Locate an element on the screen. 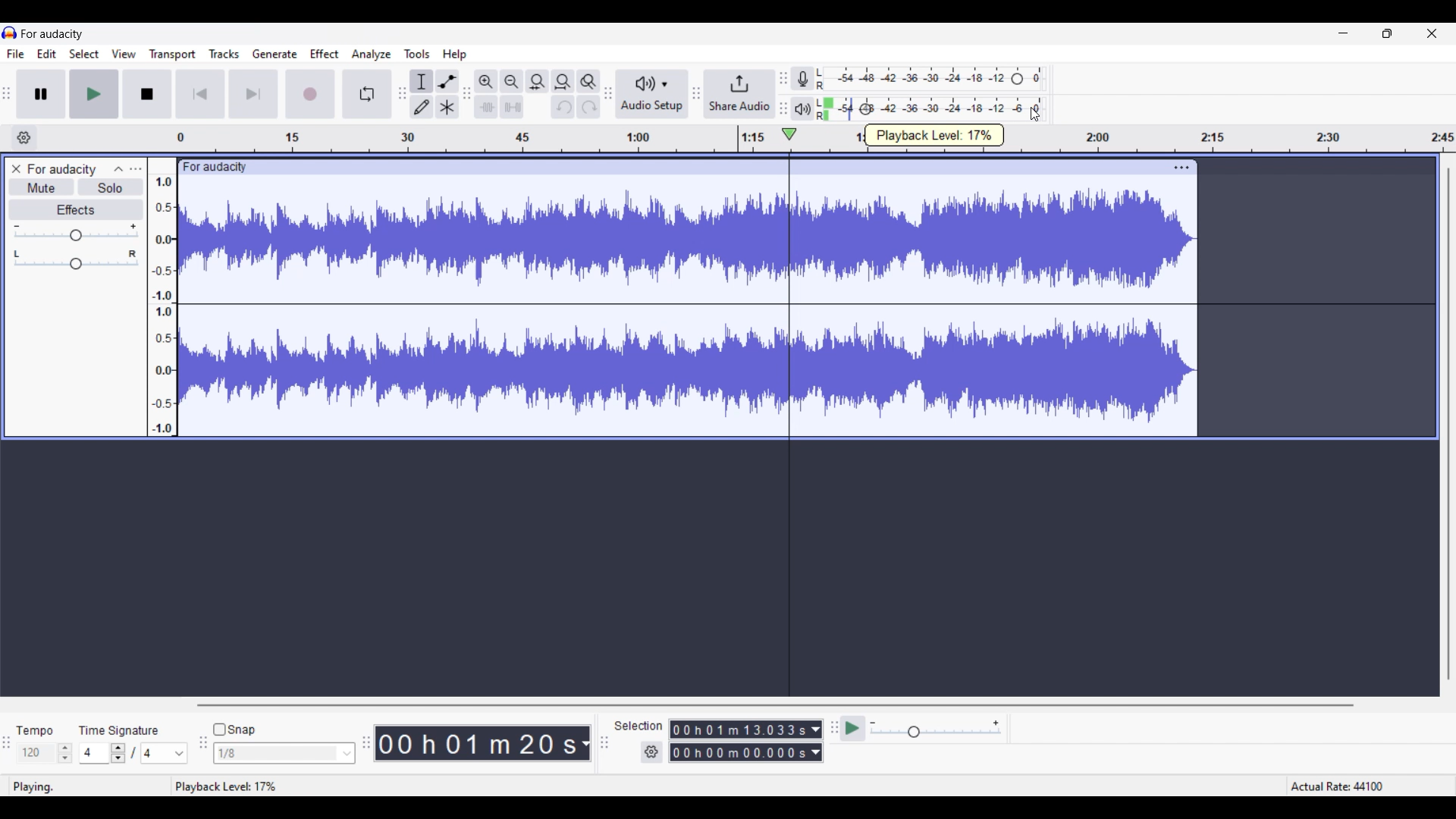 This screenshot has height=819, width=1456. Selection duration is located at coordinates (738, 741).